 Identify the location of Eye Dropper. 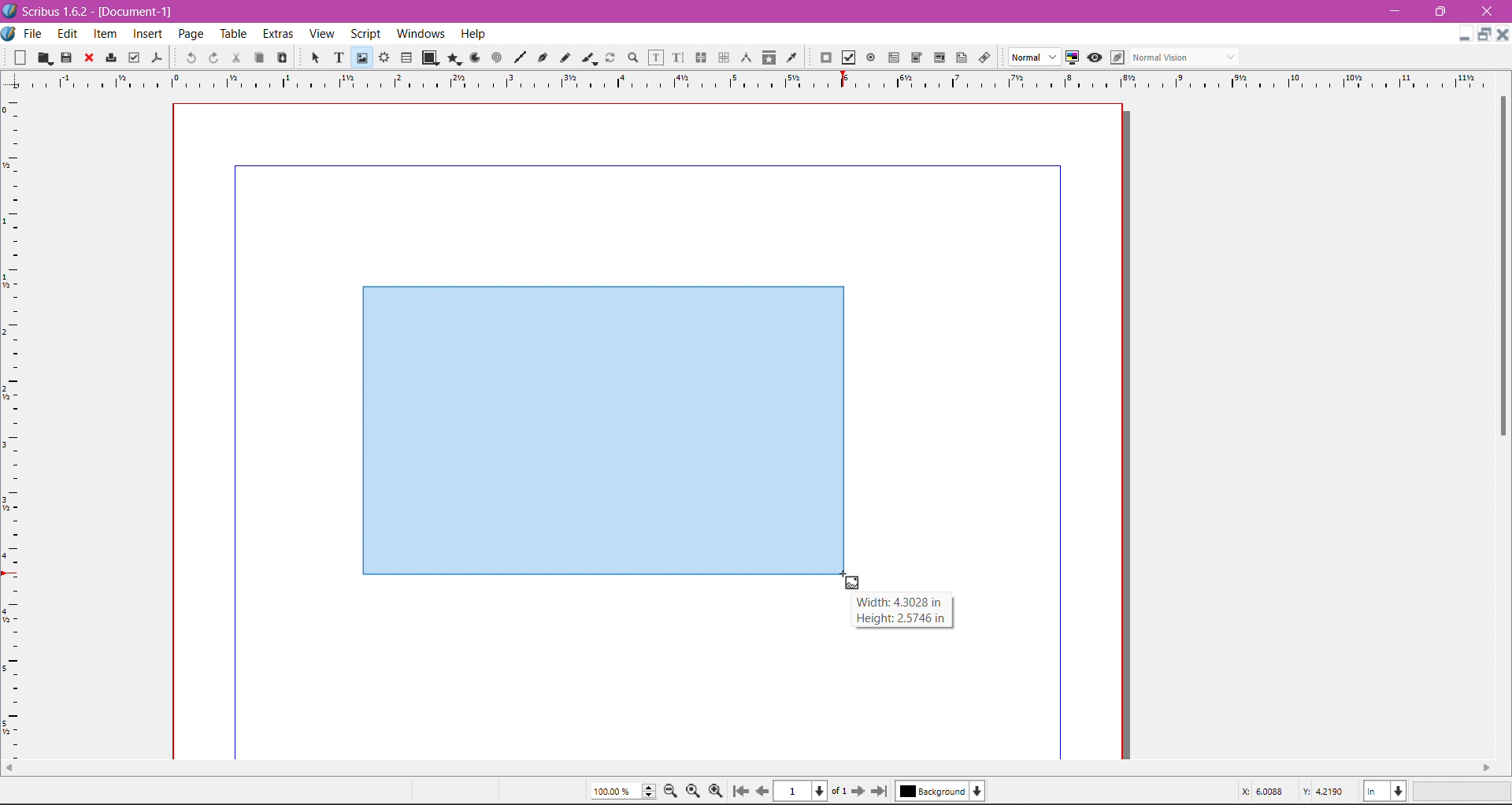
(791, 57).